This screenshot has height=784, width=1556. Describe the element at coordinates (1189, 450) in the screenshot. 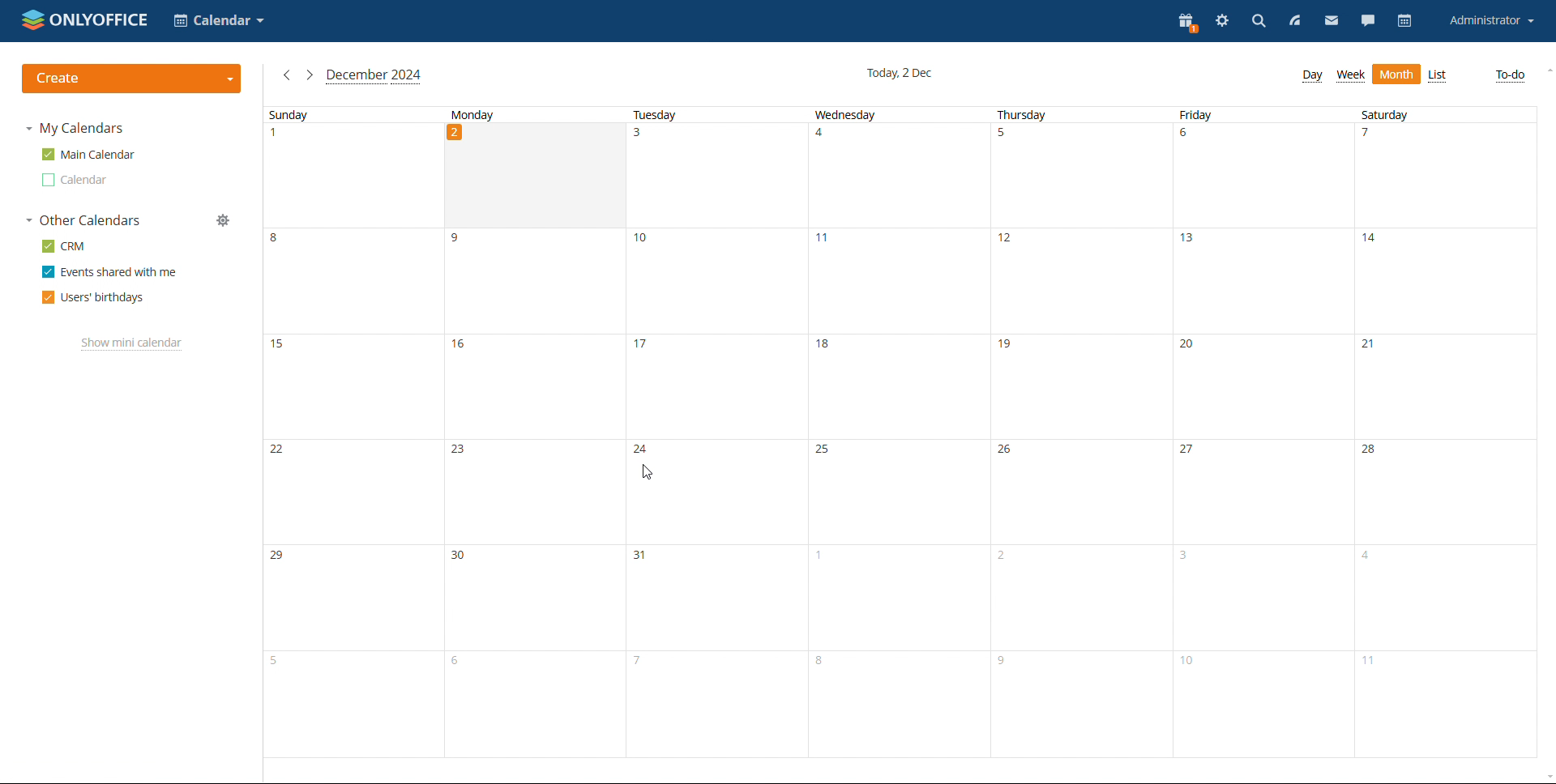

I see `27` at that location.